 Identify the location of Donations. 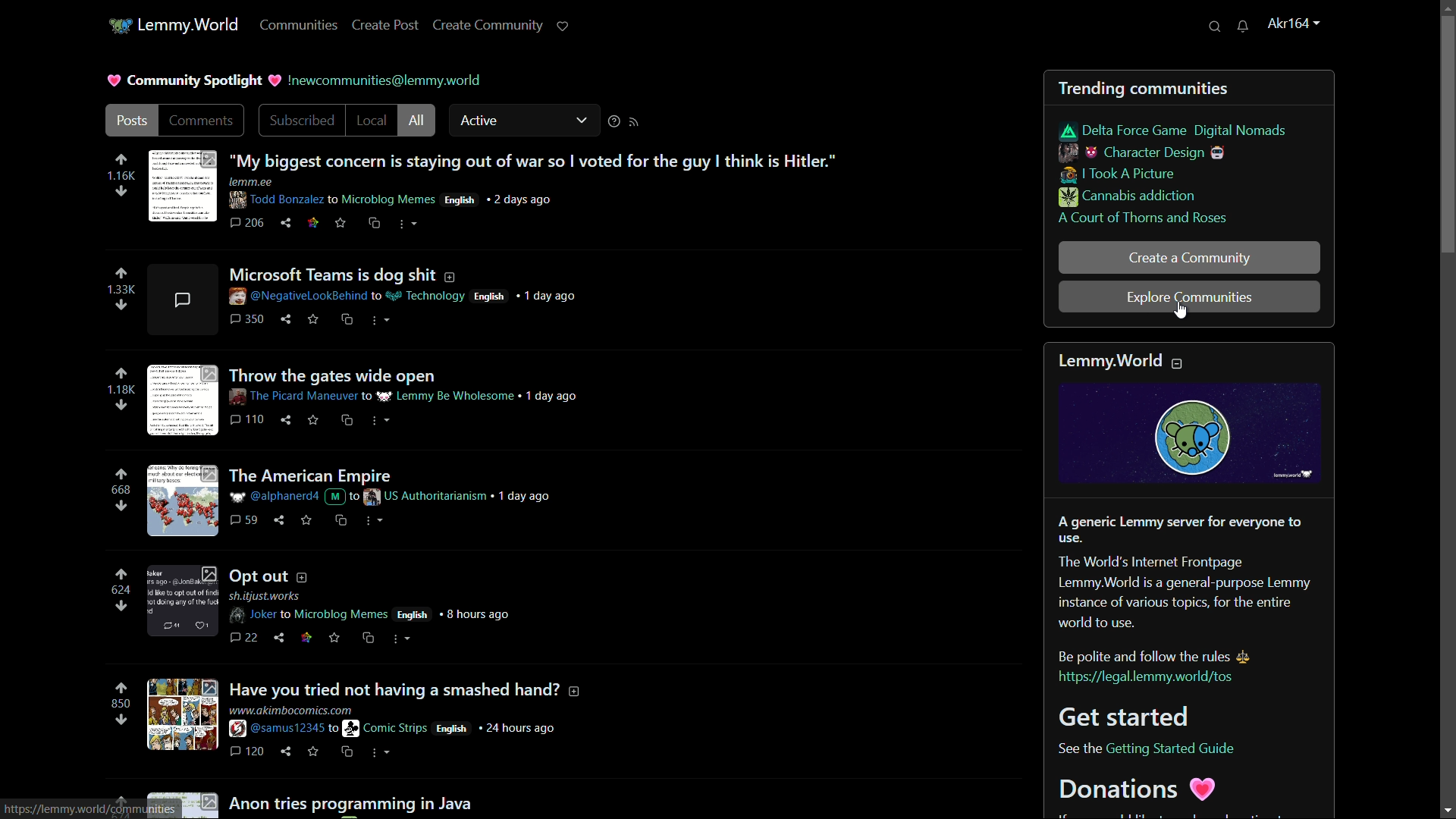
(1172, 795).